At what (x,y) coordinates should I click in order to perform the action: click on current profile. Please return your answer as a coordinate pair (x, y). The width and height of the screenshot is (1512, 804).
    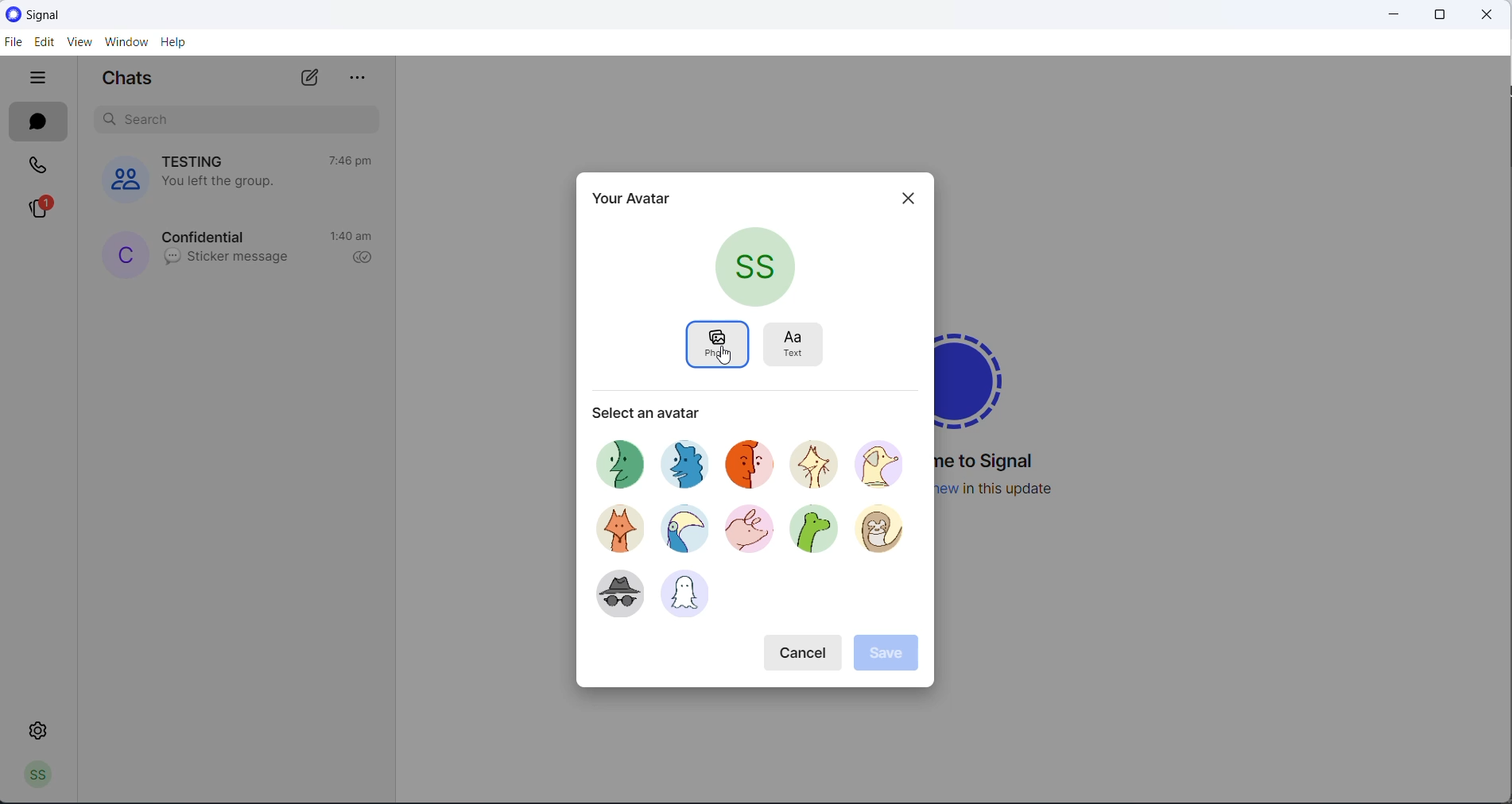
    Looking at the image, I should click on (757, 267).